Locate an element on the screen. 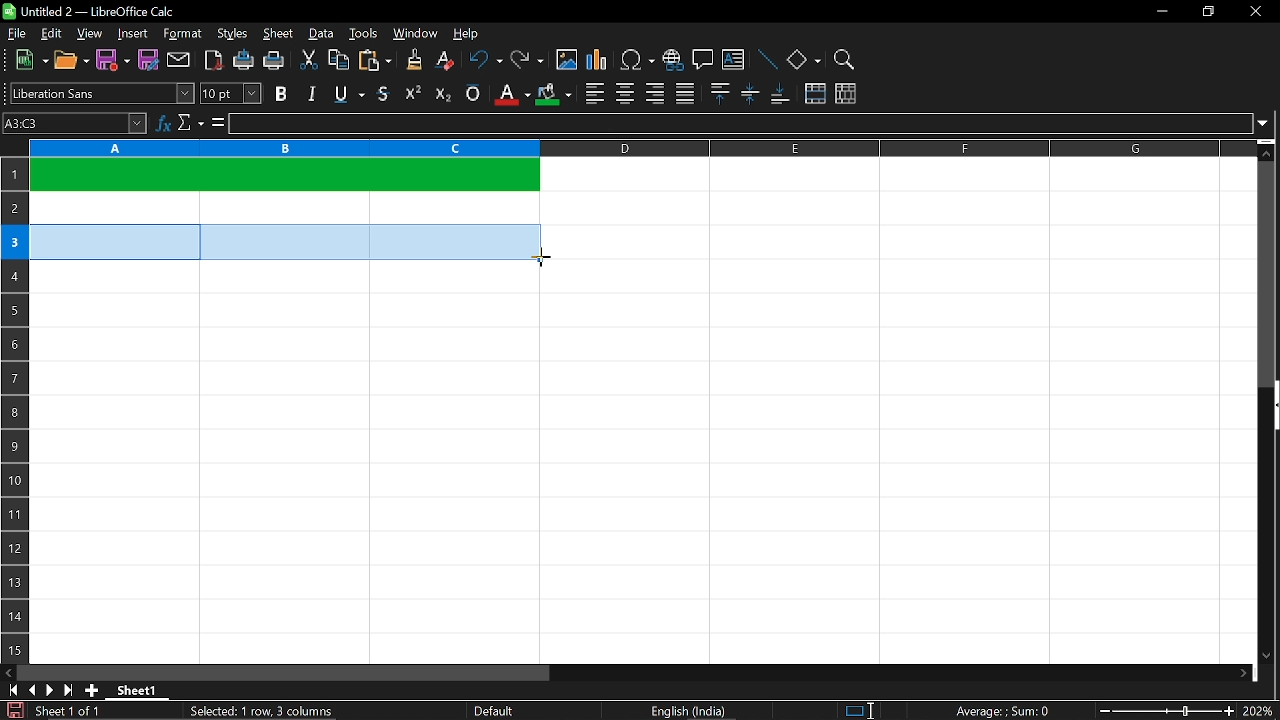 Image resolution: width=1280 pixels, height=720 pixels. input line is located at coordinates (739, 124).